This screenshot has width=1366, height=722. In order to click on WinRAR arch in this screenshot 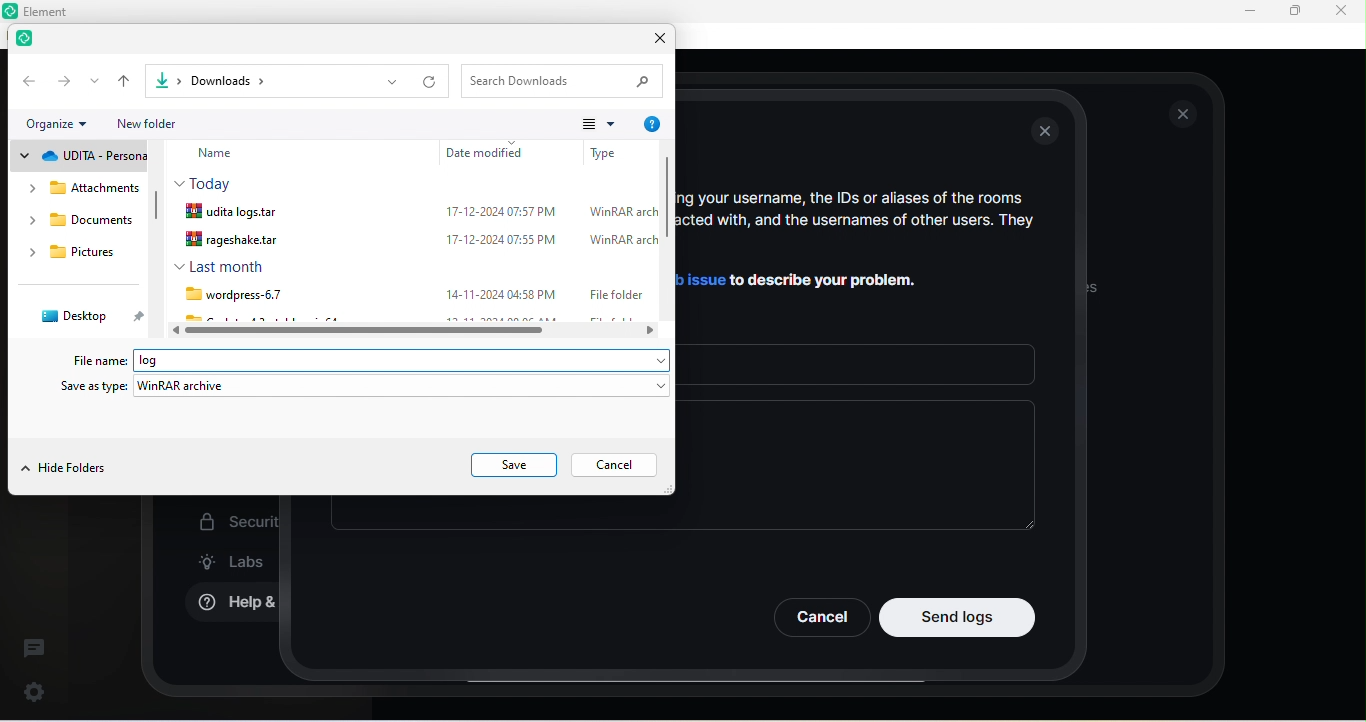, I will do `click(623, 241)`.